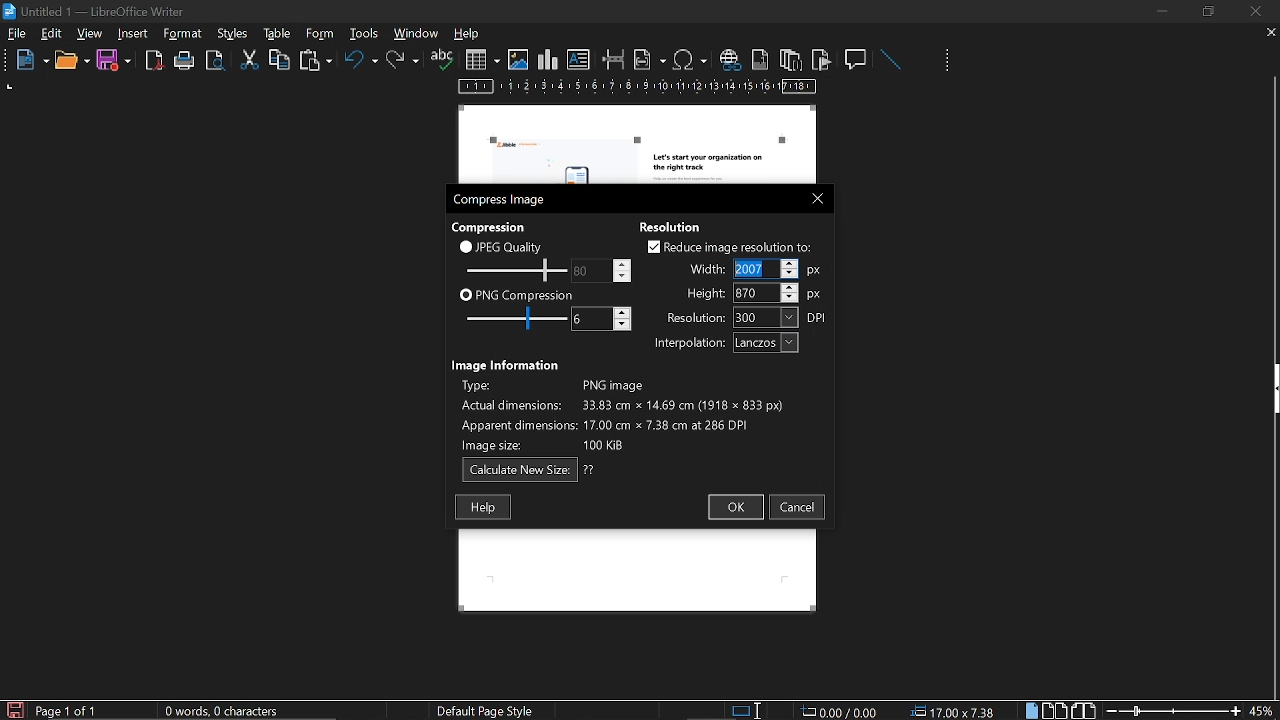 This screenshot has height=720, width=1280. I want to click on image info, so click(622, 412).